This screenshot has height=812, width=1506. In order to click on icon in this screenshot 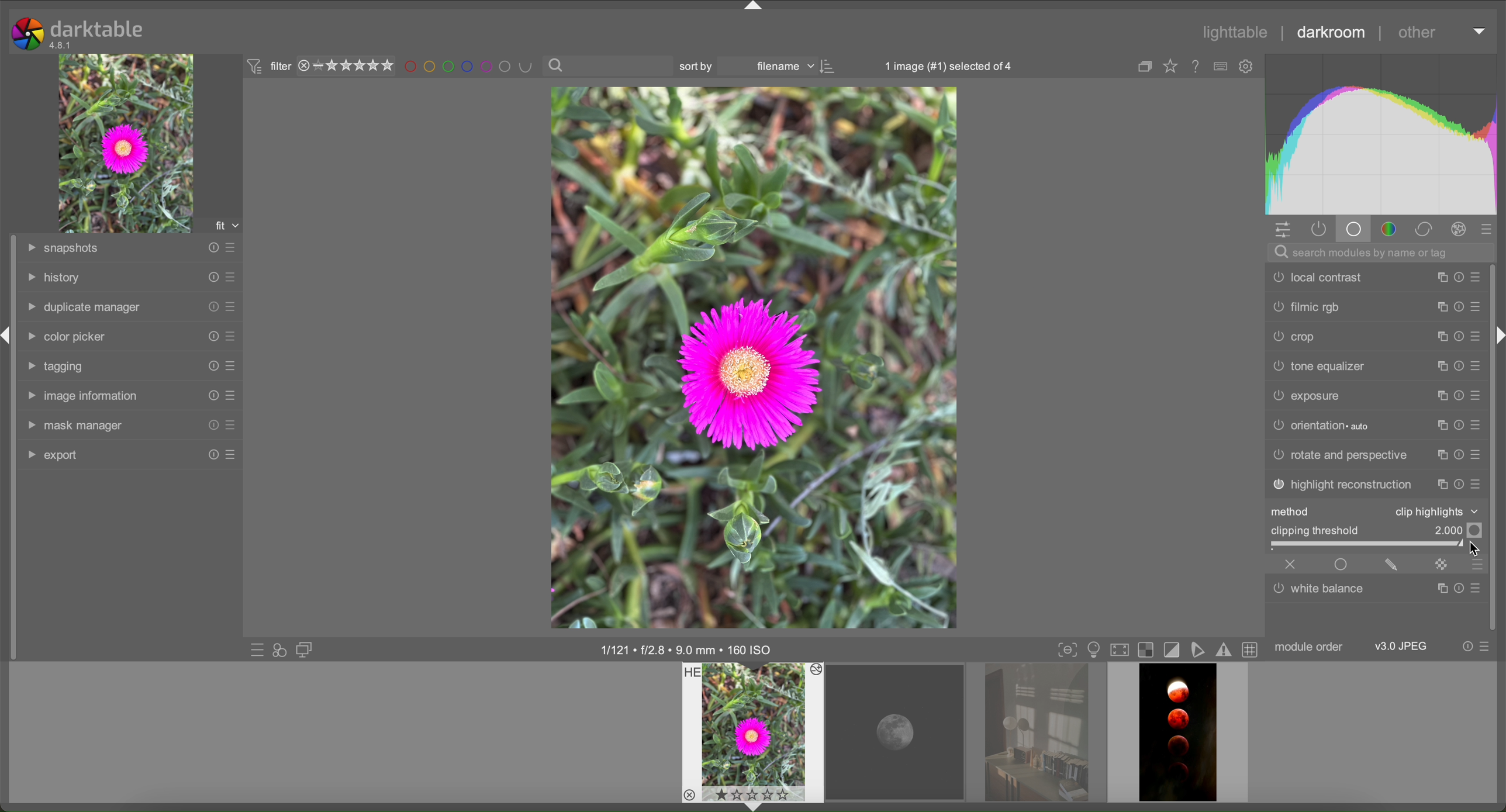, I will do `click(830, 67)`.